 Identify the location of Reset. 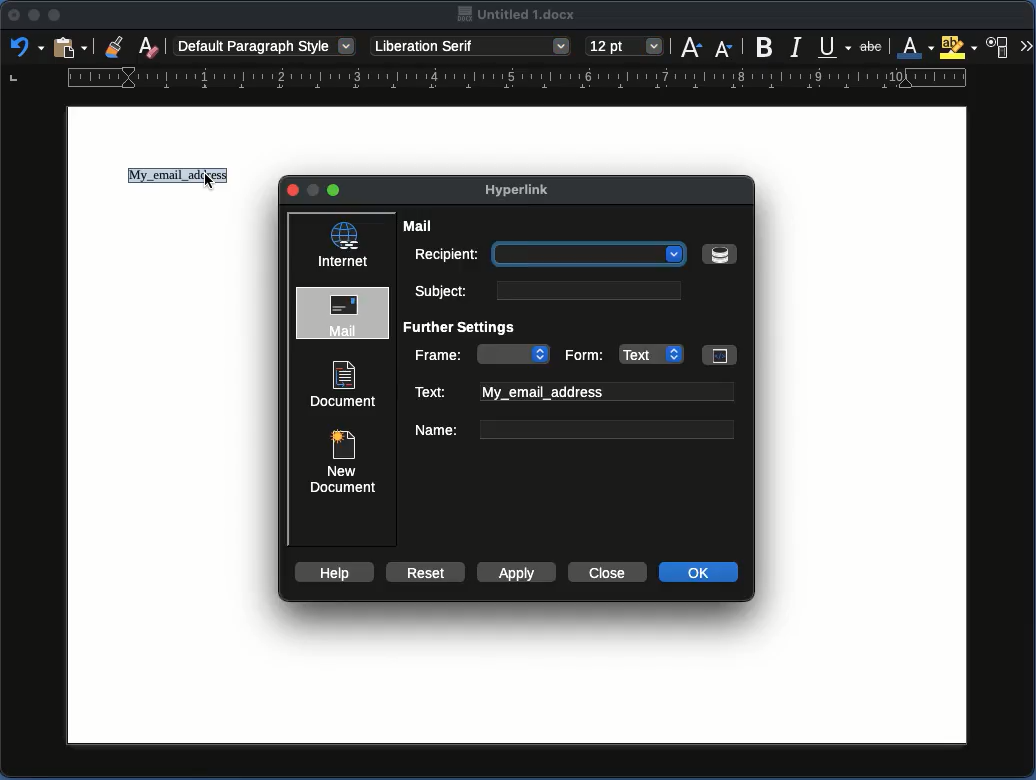
(423, 571).